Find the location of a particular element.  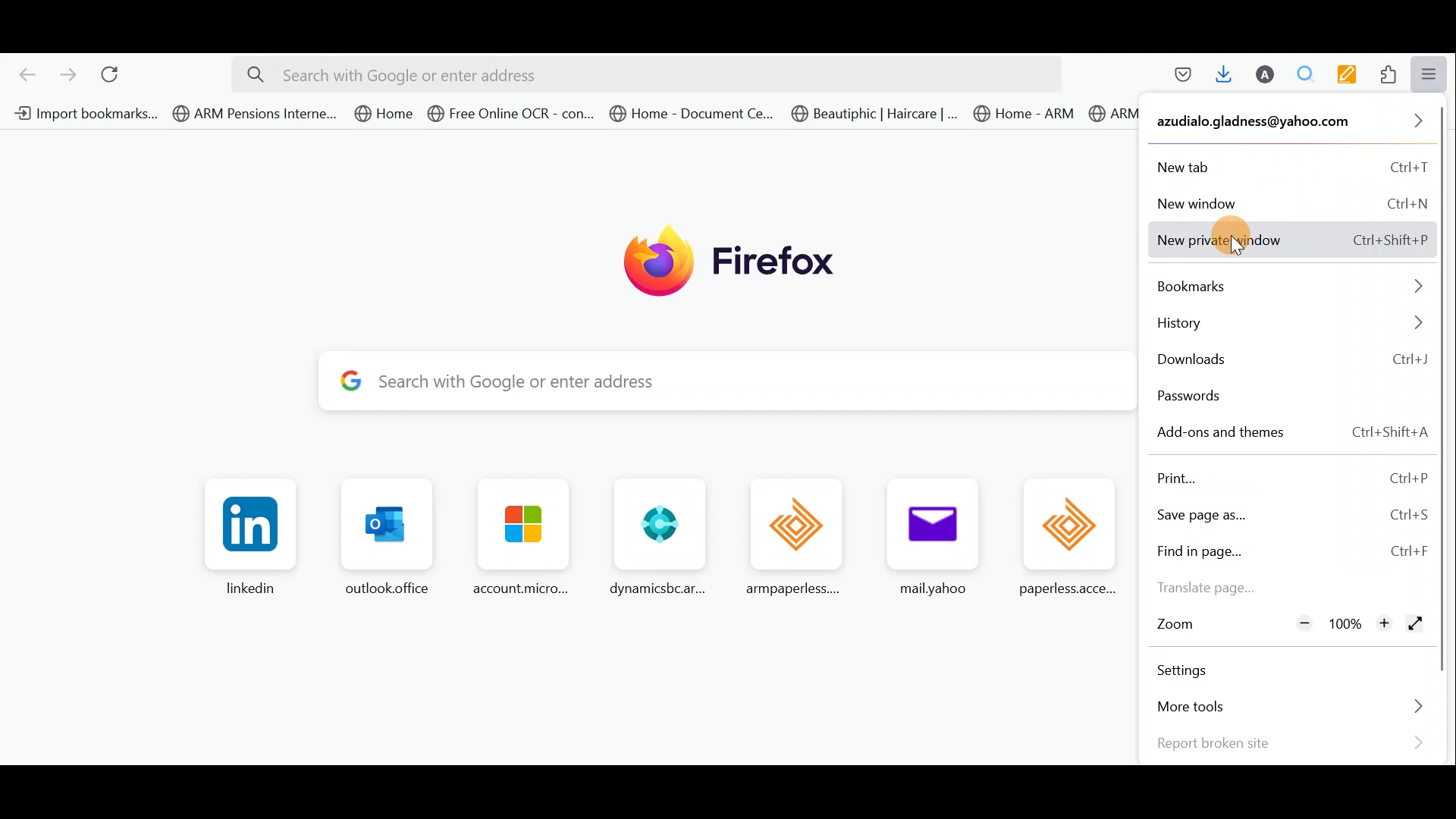

Save to pocket is located at coordinates (1180, 78).